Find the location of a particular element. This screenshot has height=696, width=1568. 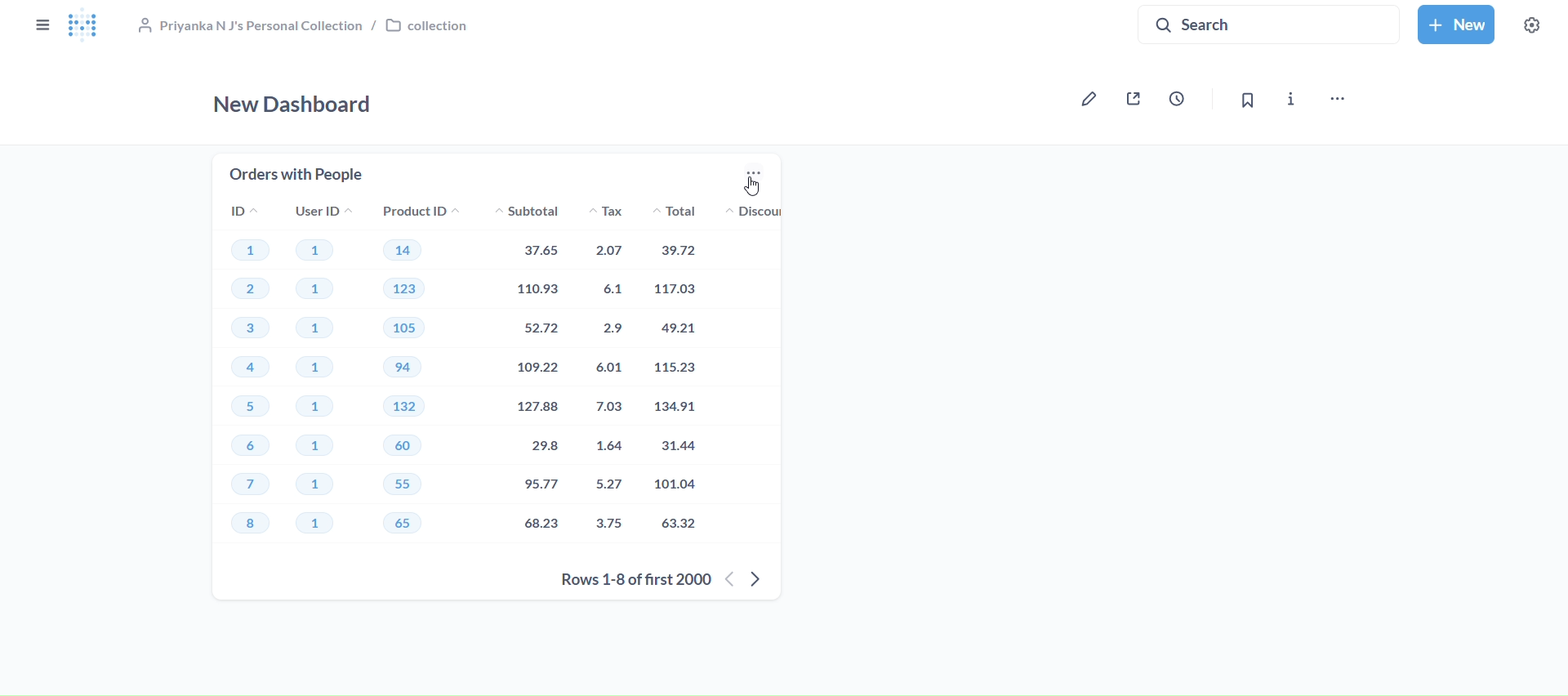

info is located at coordinates (1292, 101).